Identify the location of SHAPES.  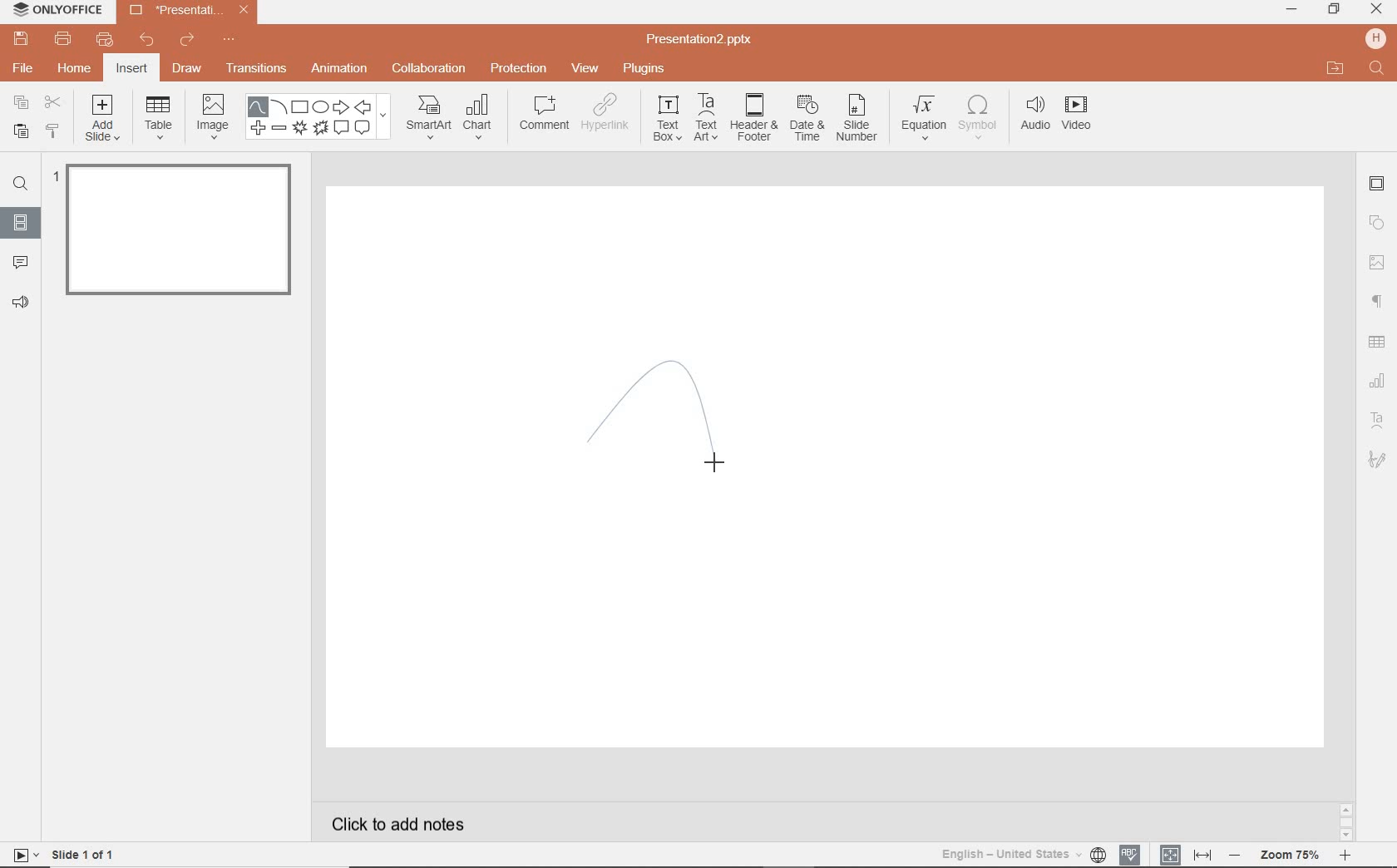
(321, 118).